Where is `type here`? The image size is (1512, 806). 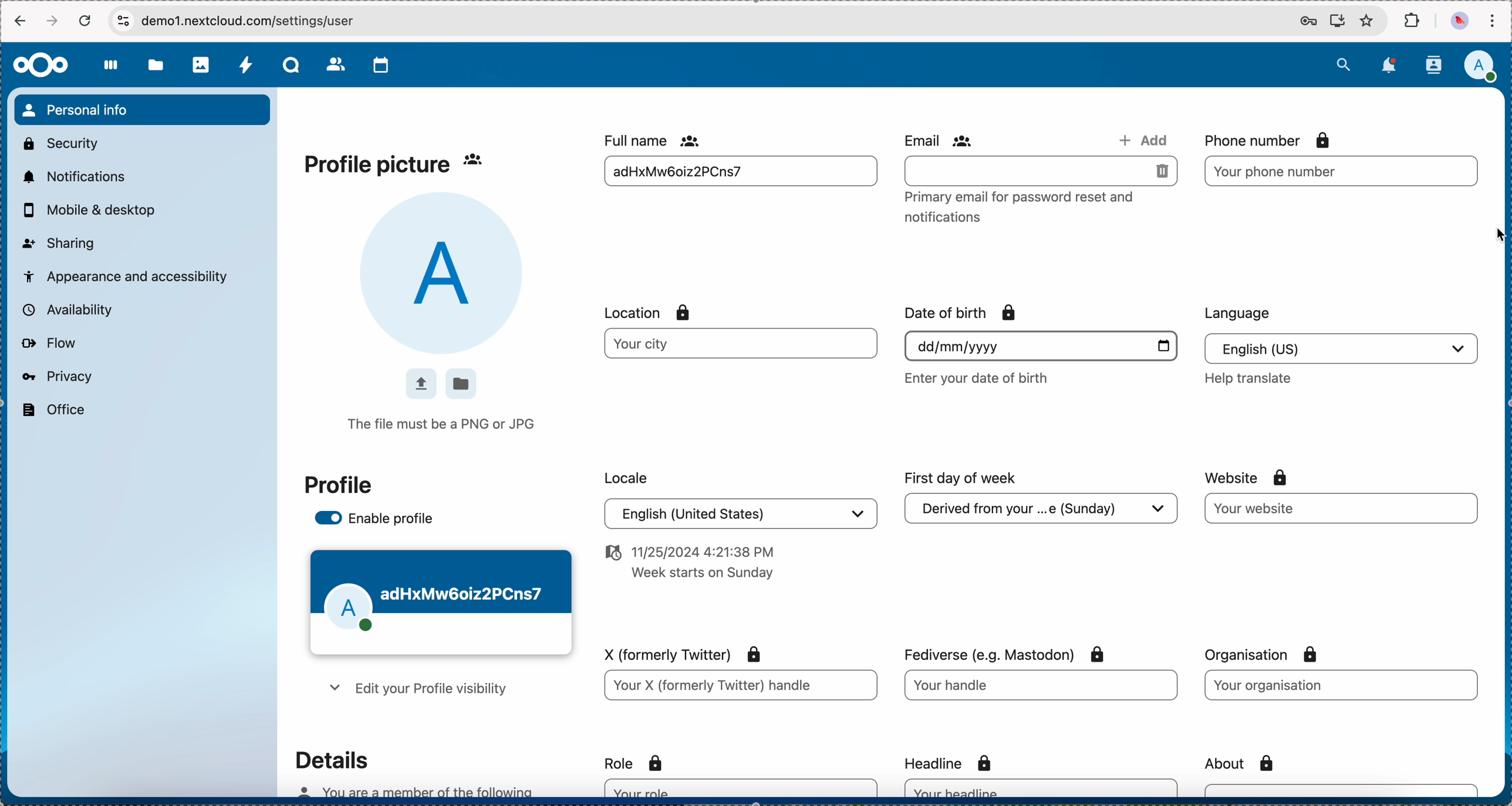 type here is located at coordinates (1341, 171).